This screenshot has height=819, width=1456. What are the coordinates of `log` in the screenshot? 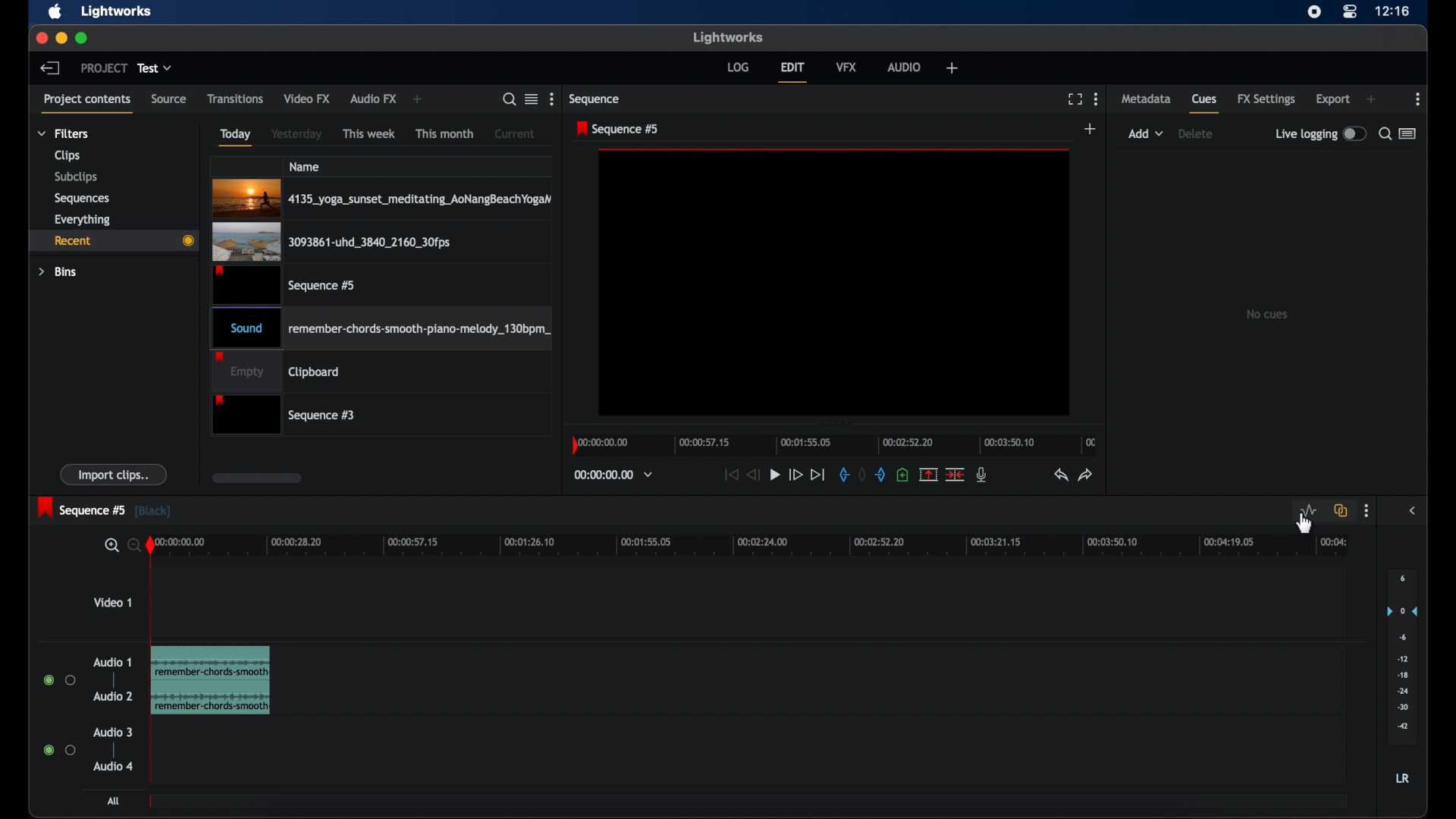 It's located at (738, 67).